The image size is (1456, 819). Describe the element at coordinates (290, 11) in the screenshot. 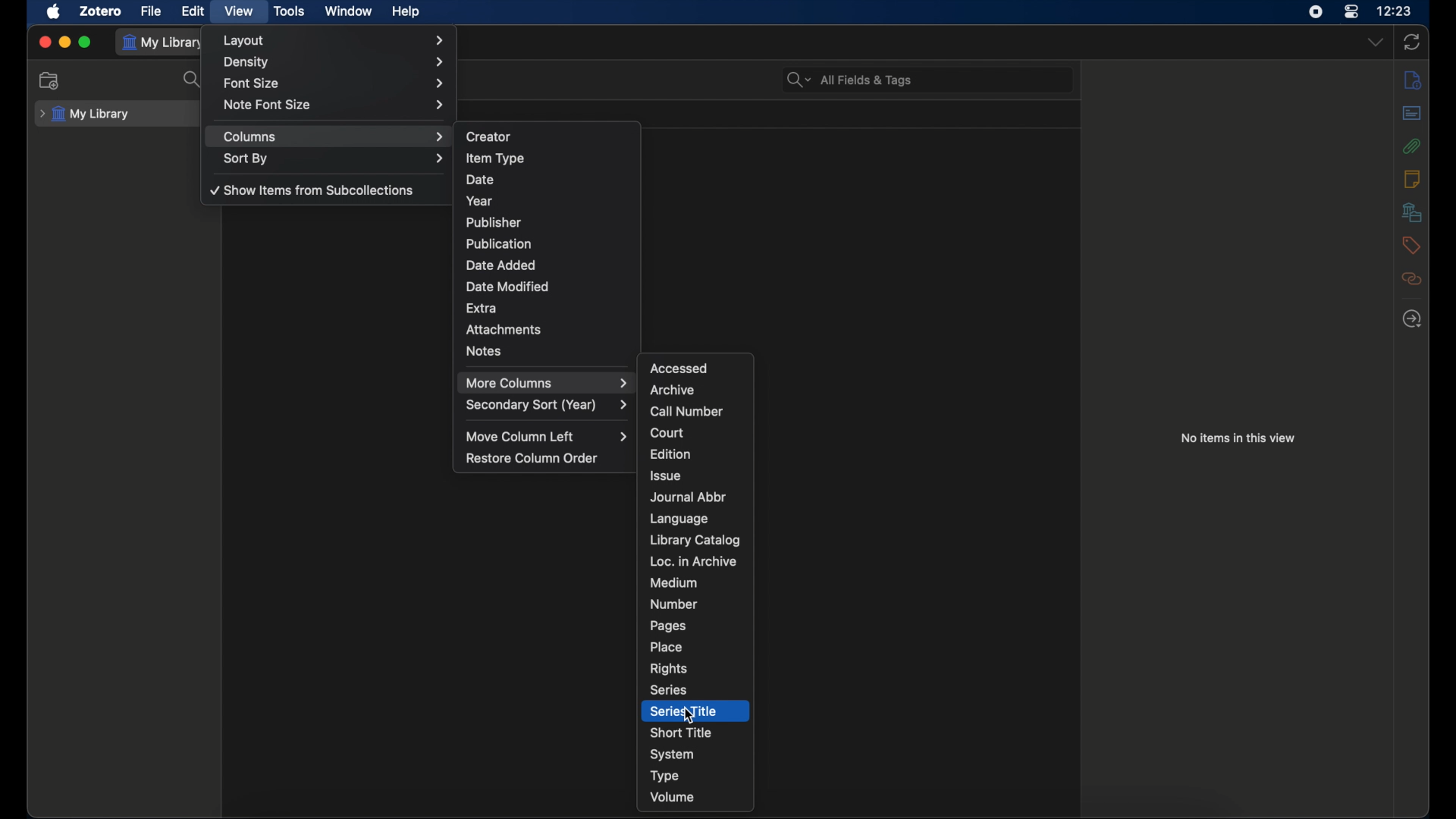

I see `tools` at that location.